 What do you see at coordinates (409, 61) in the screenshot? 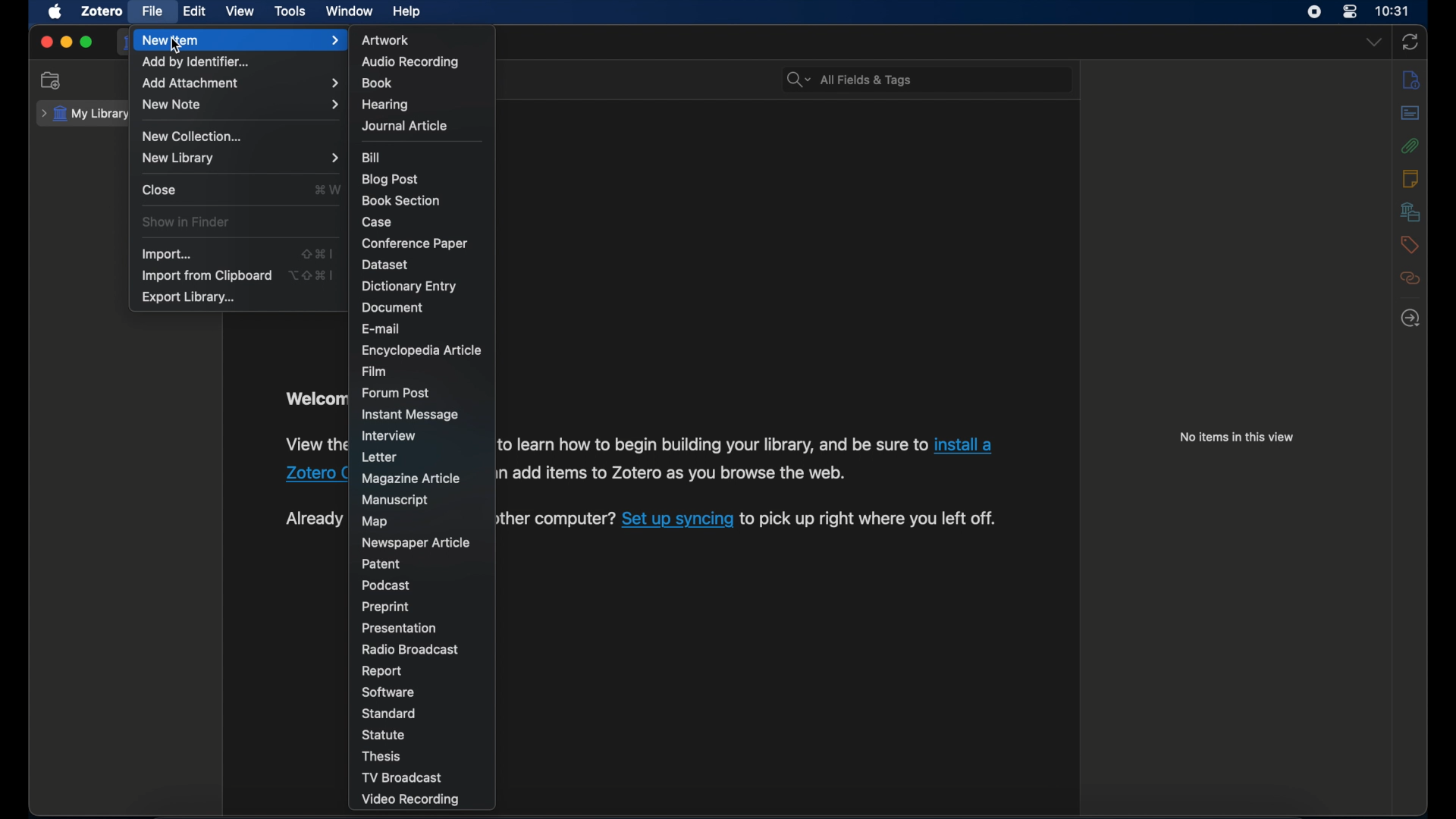
I see `audio recording` at bounding box center [409, 61].